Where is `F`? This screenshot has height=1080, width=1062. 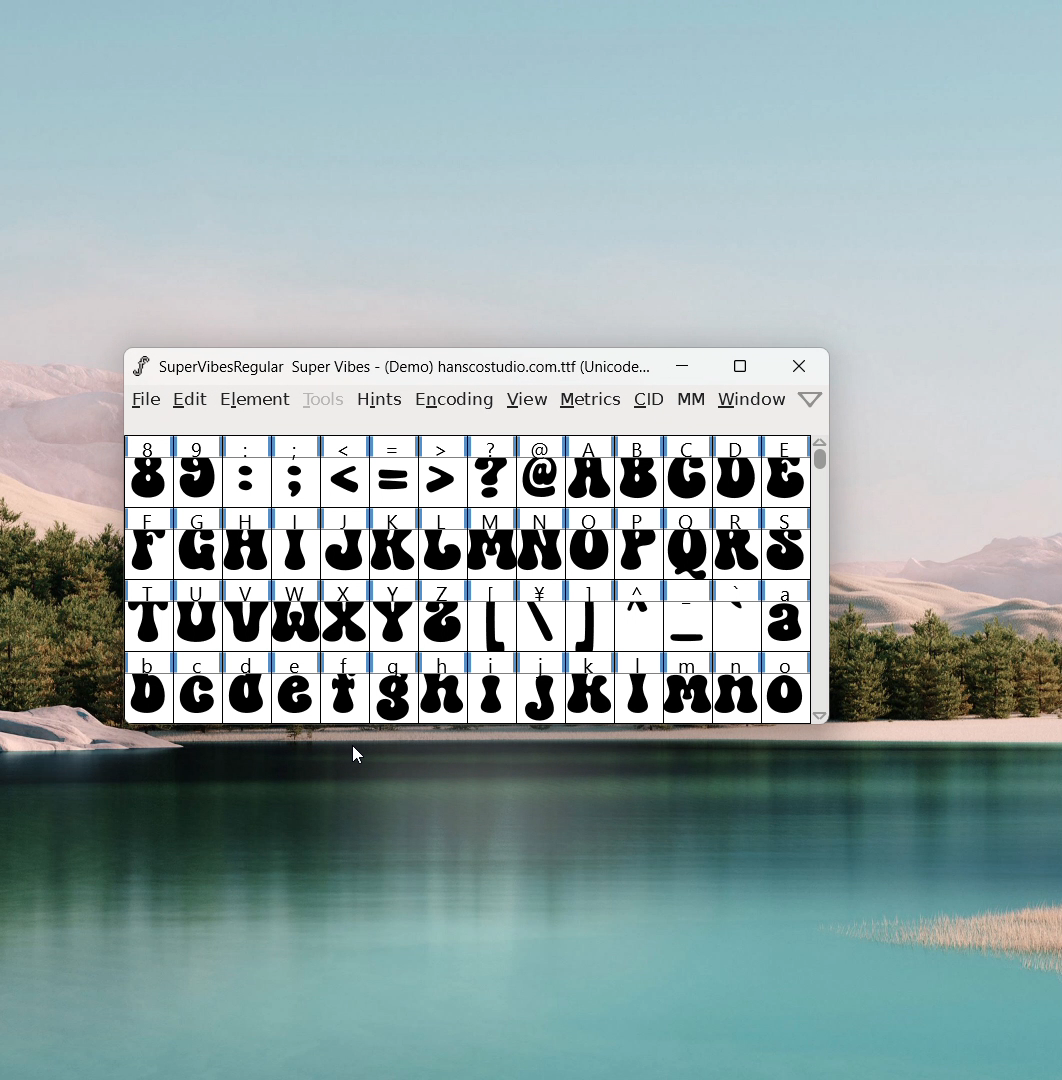
F is located at coordinates (149, 543).